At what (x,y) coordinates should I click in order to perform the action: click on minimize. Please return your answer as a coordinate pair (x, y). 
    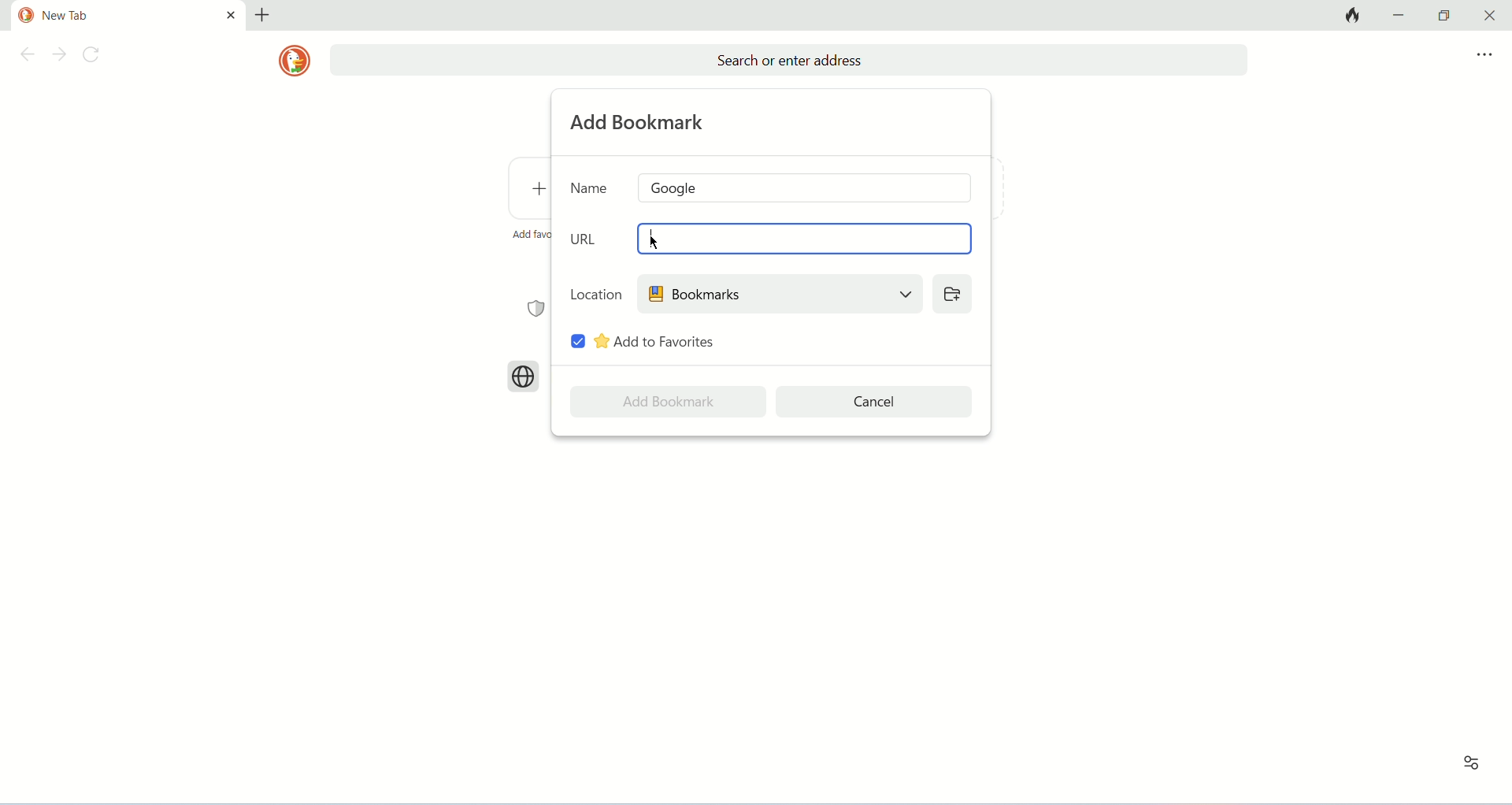
    Looking at the image, I should click on (1402, 14).